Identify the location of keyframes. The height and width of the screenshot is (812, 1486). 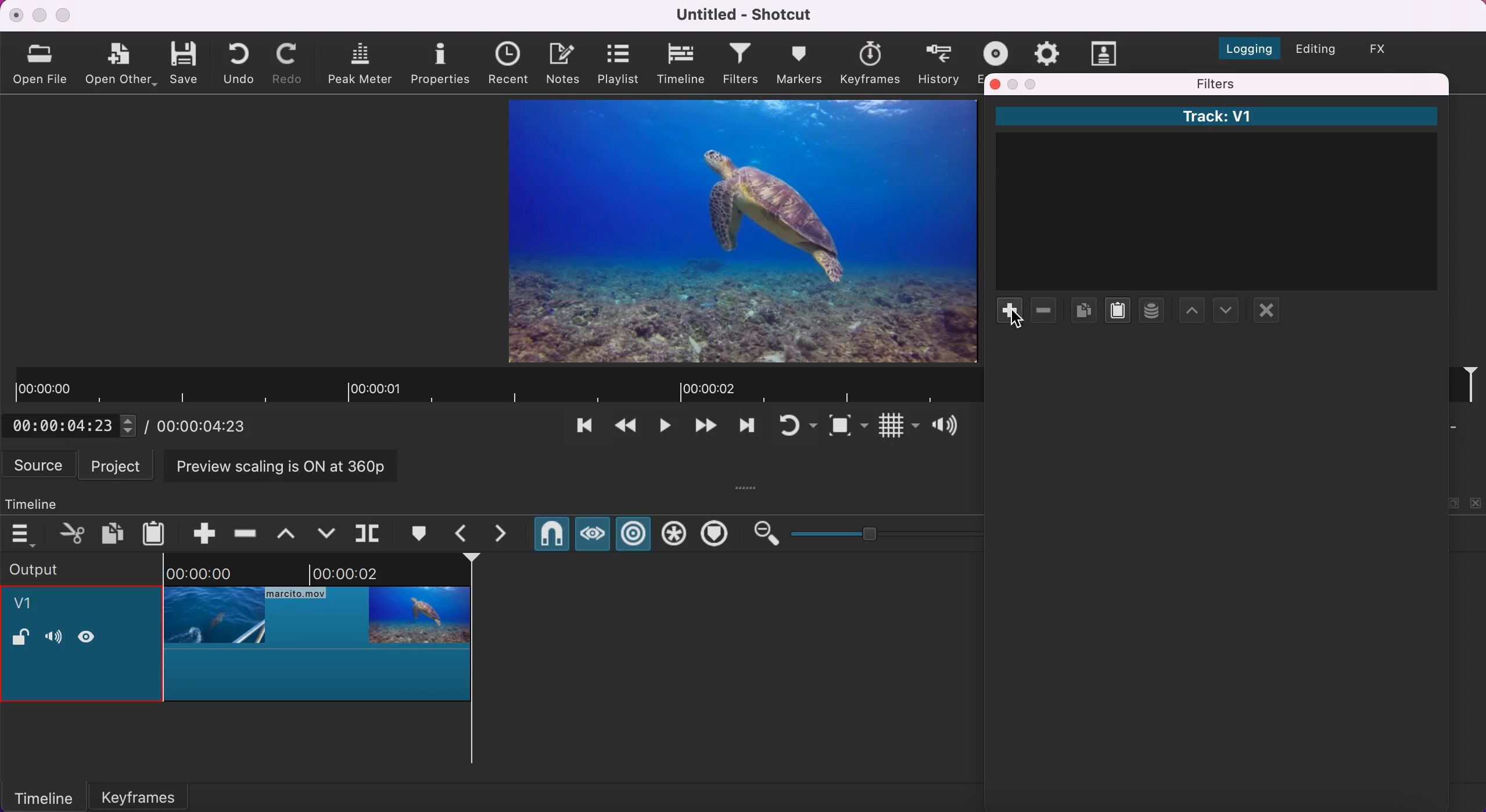
(153, 793).